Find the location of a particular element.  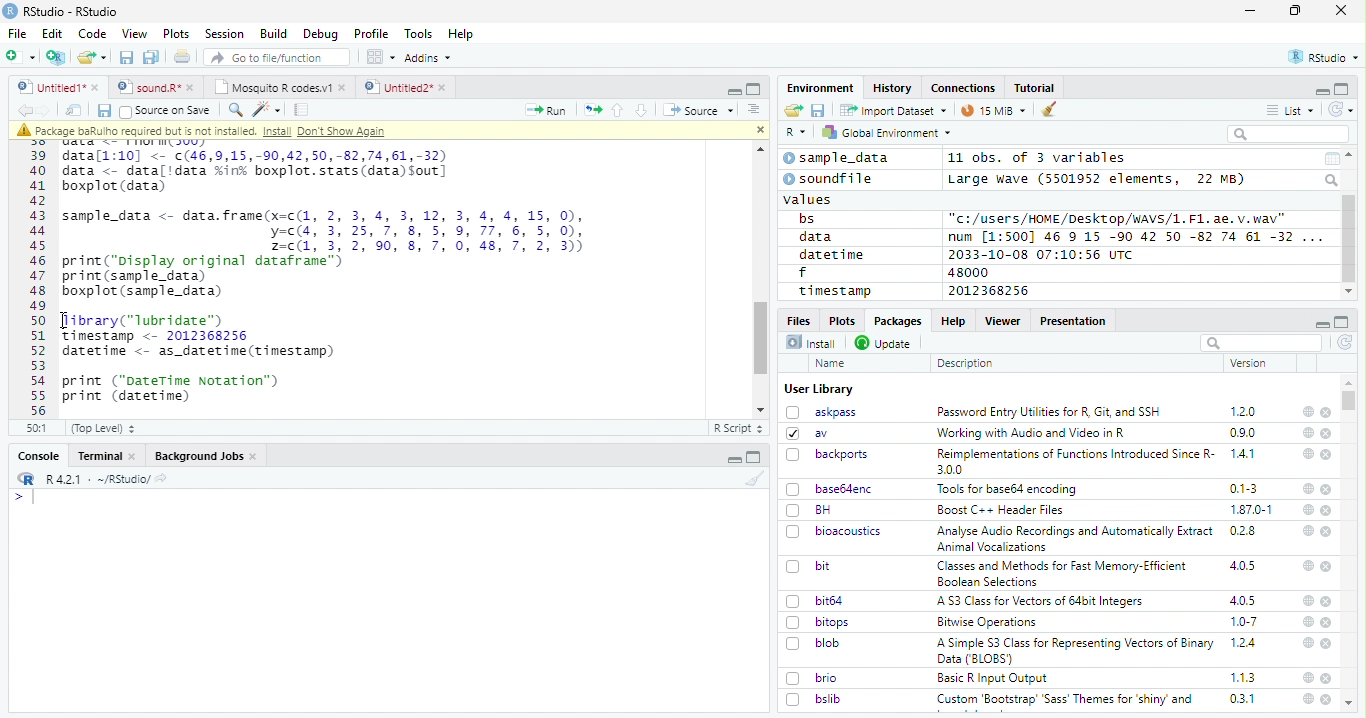

typing cursor is located at coordinates (24, 497).